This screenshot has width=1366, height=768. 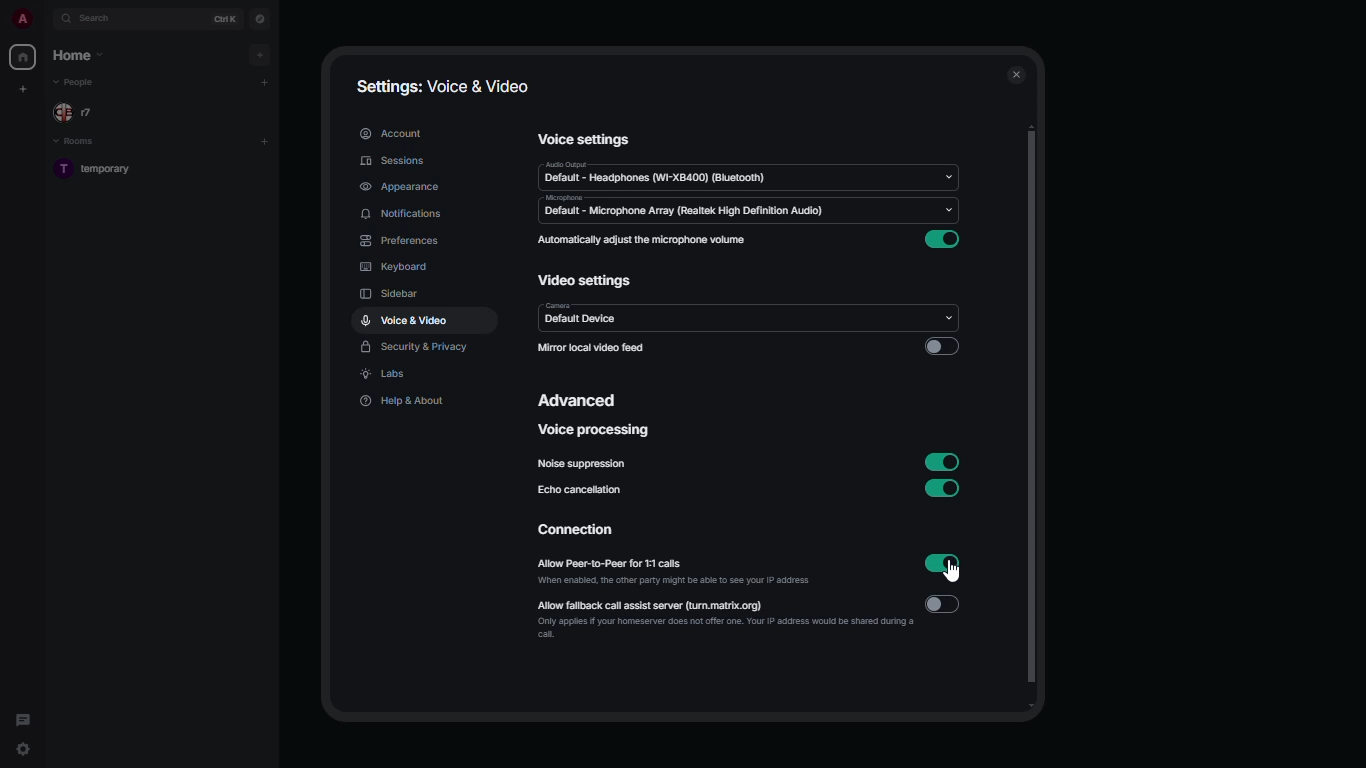 I want to click on expand, so click(x=48, y=18).